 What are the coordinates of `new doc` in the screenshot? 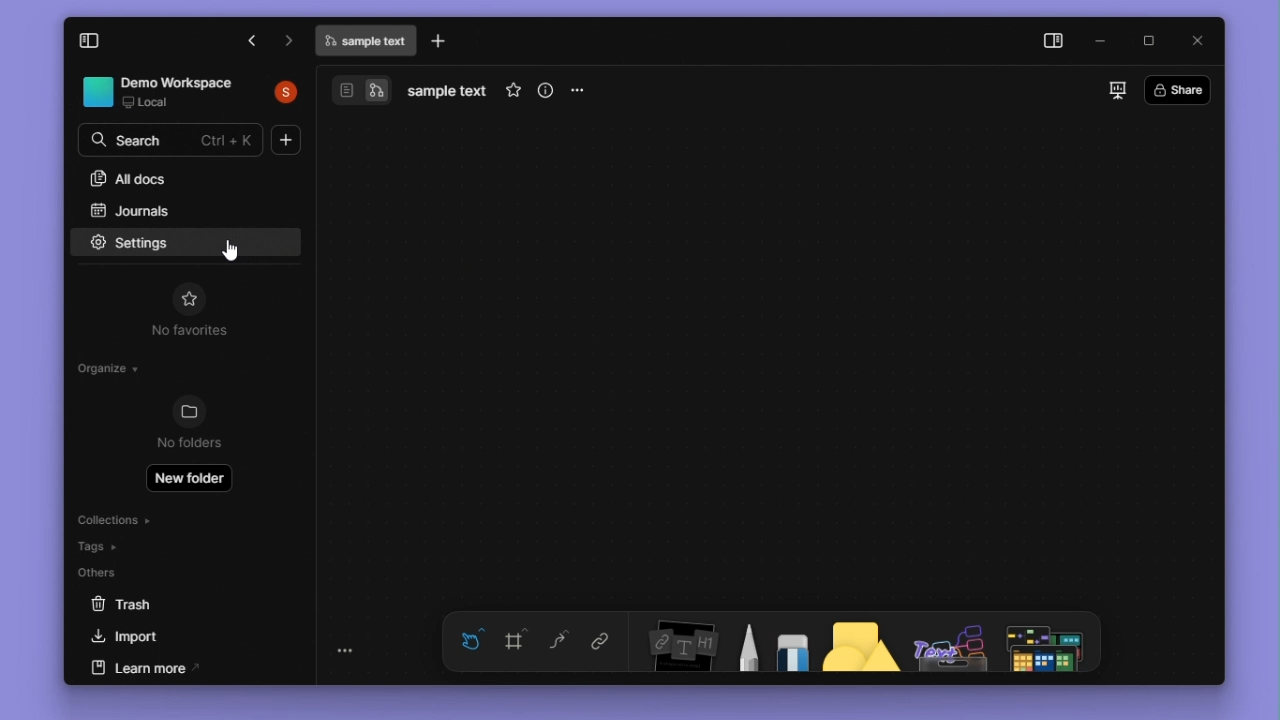 It's located at (290, 141).